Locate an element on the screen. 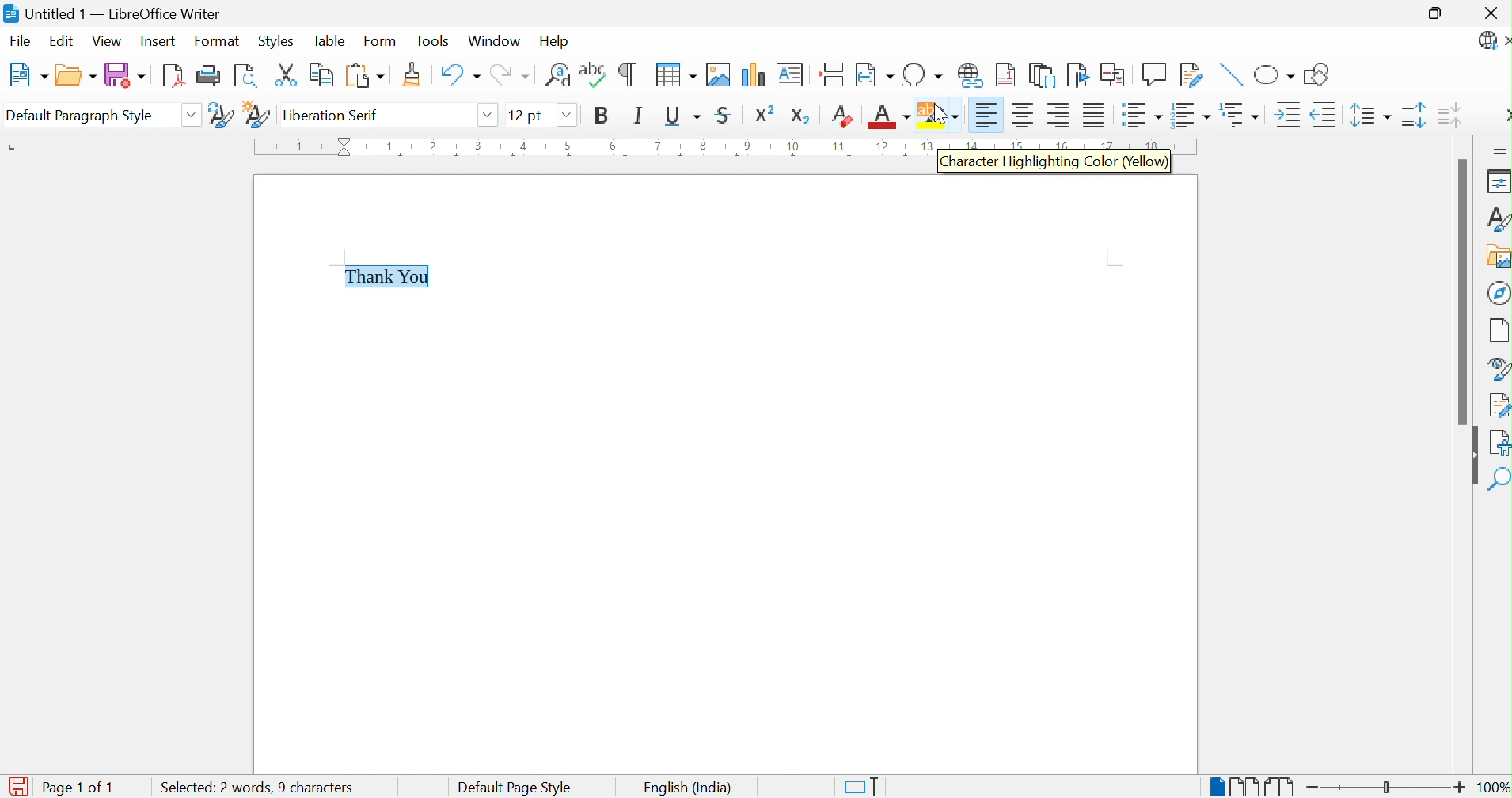  Sidebar Settings is located at coordinates (1499, 149).